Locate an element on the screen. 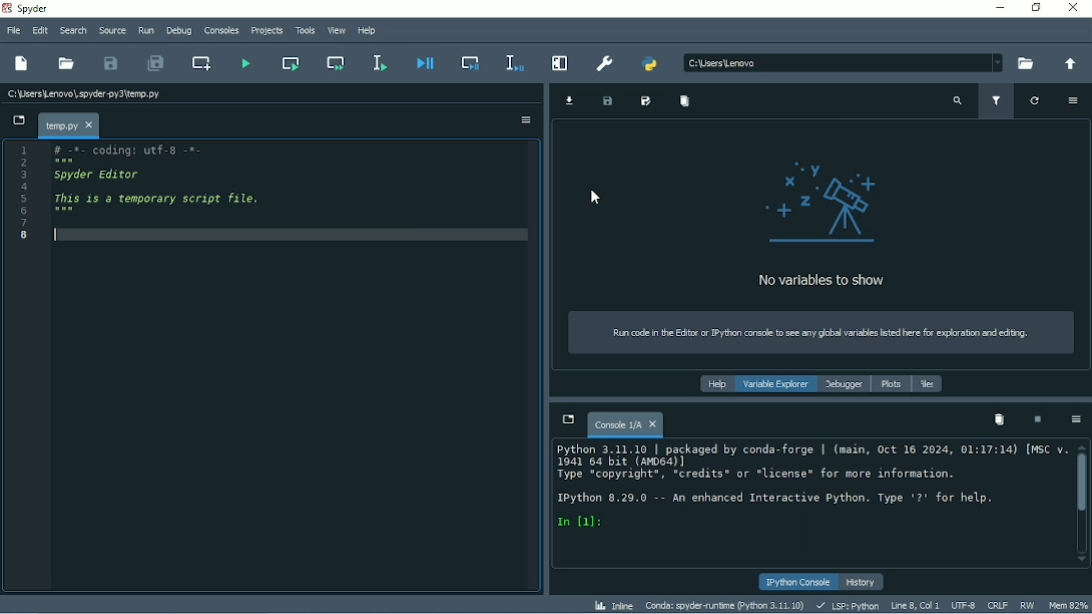  Run file is located at coordinates (245, 62).